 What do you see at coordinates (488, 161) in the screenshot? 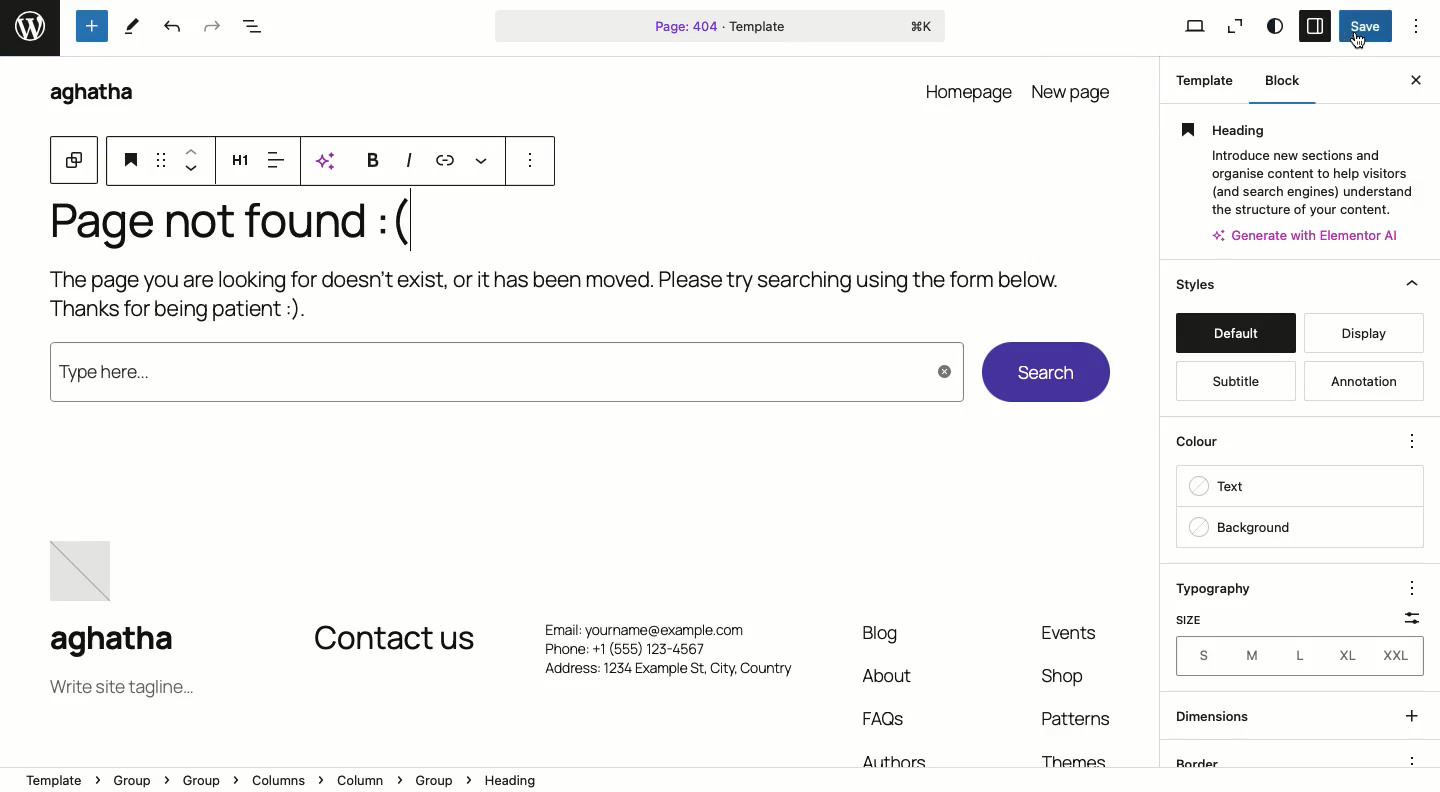
I see `More` at bounding box center [488, 161].